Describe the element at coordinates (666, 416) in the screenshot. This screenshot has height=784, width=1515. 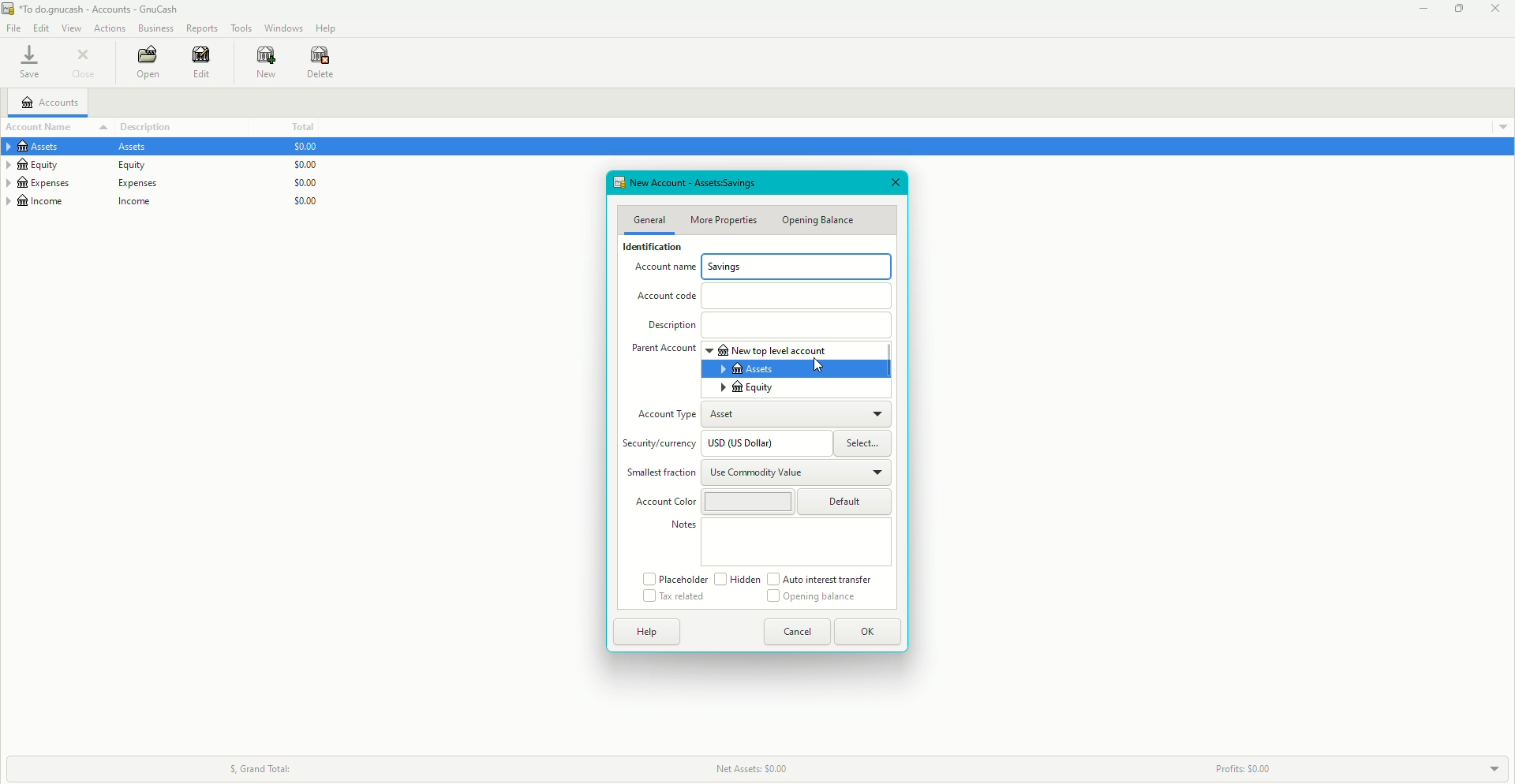
I see `Account type` at that location.